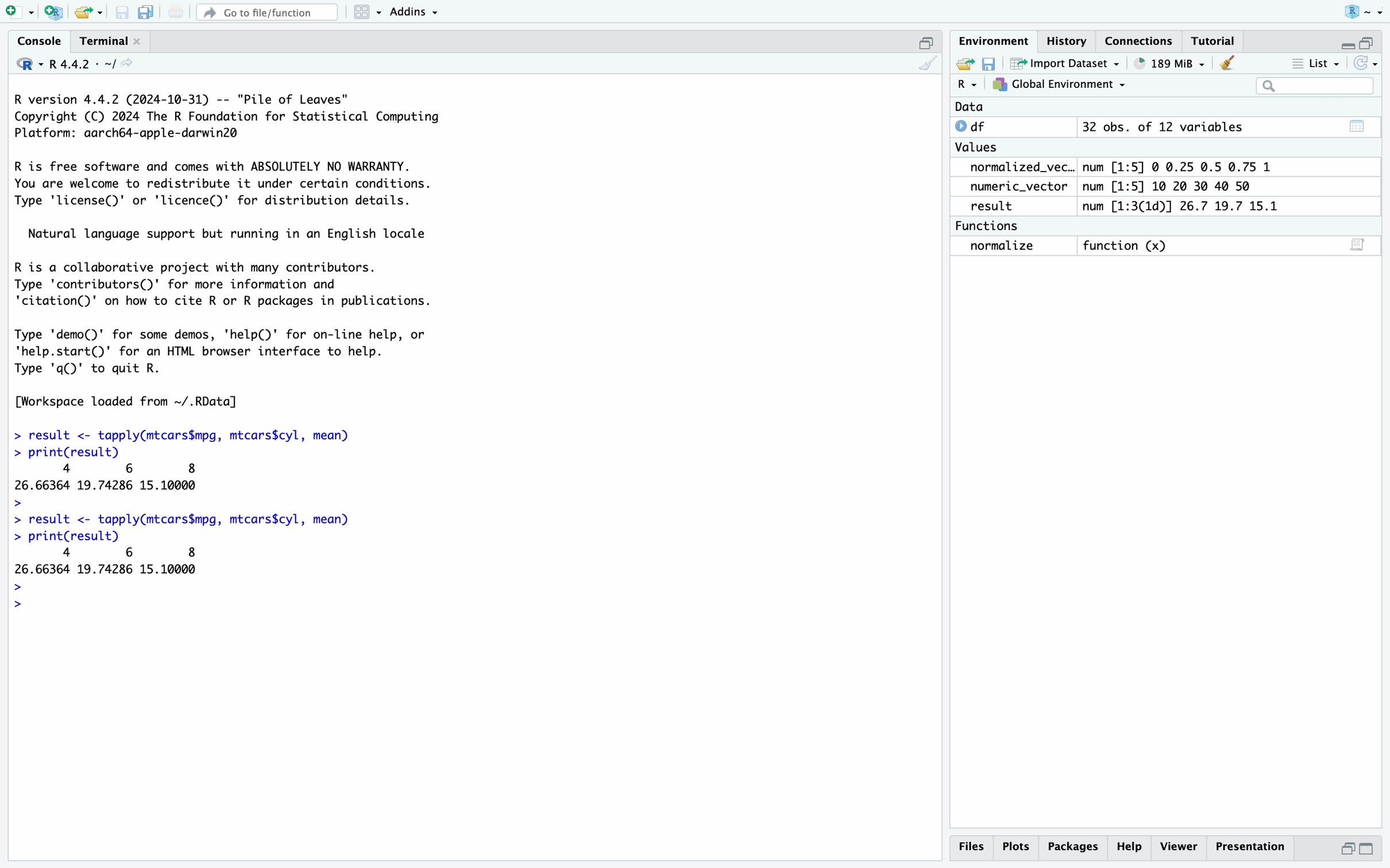  What do you see at coordinates (995, 206) in the screenshot?
I see `result` at bounding box center [995, 206].